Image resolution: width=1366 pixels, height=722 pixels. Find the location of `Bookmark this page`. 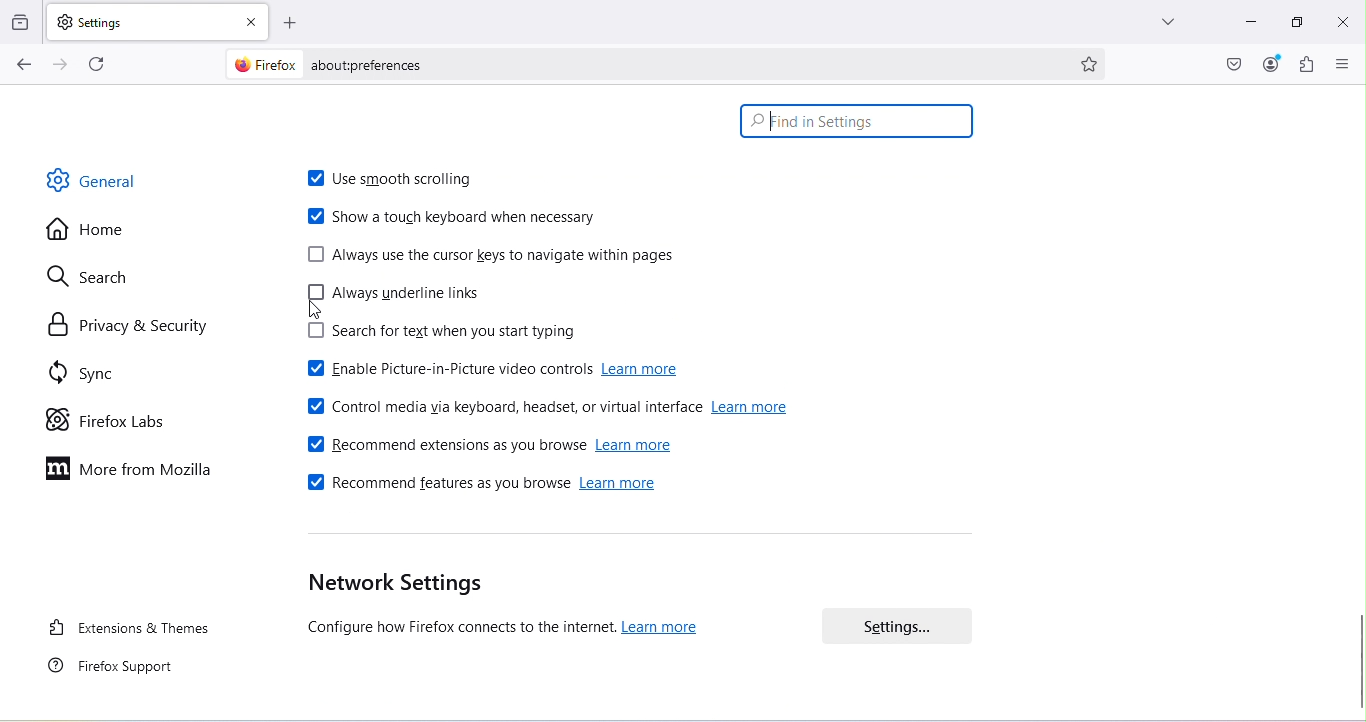

Bookmark this page is located at coordinates (1101, 66).